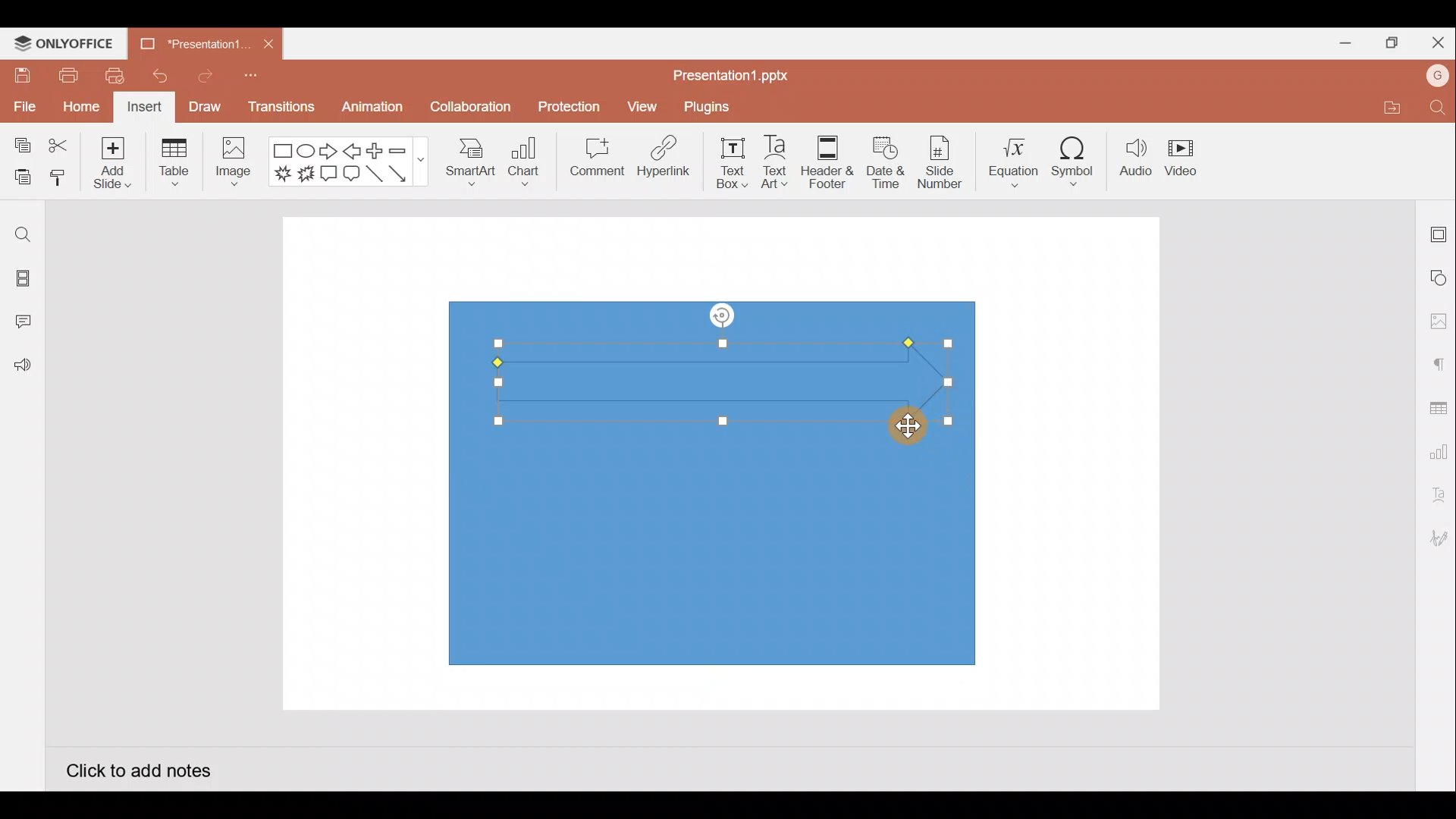 This screenshot has height=819, width=1456. Describe the element at coordinates (406, 149) in the screenshot. I see `Minus` at that location.